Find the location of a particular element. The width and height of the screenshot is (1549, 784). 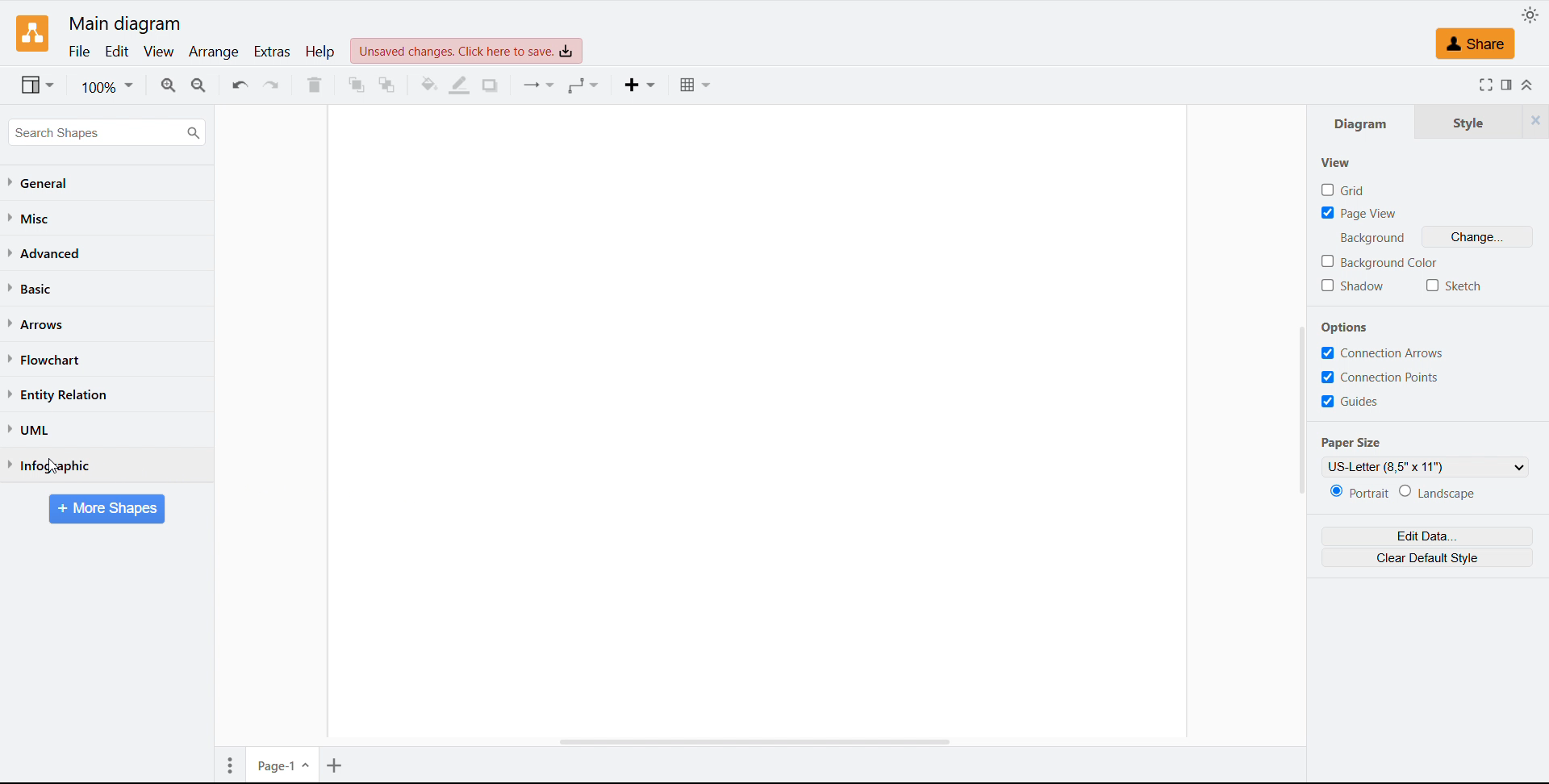

background is located at coordinates (1373, 237).